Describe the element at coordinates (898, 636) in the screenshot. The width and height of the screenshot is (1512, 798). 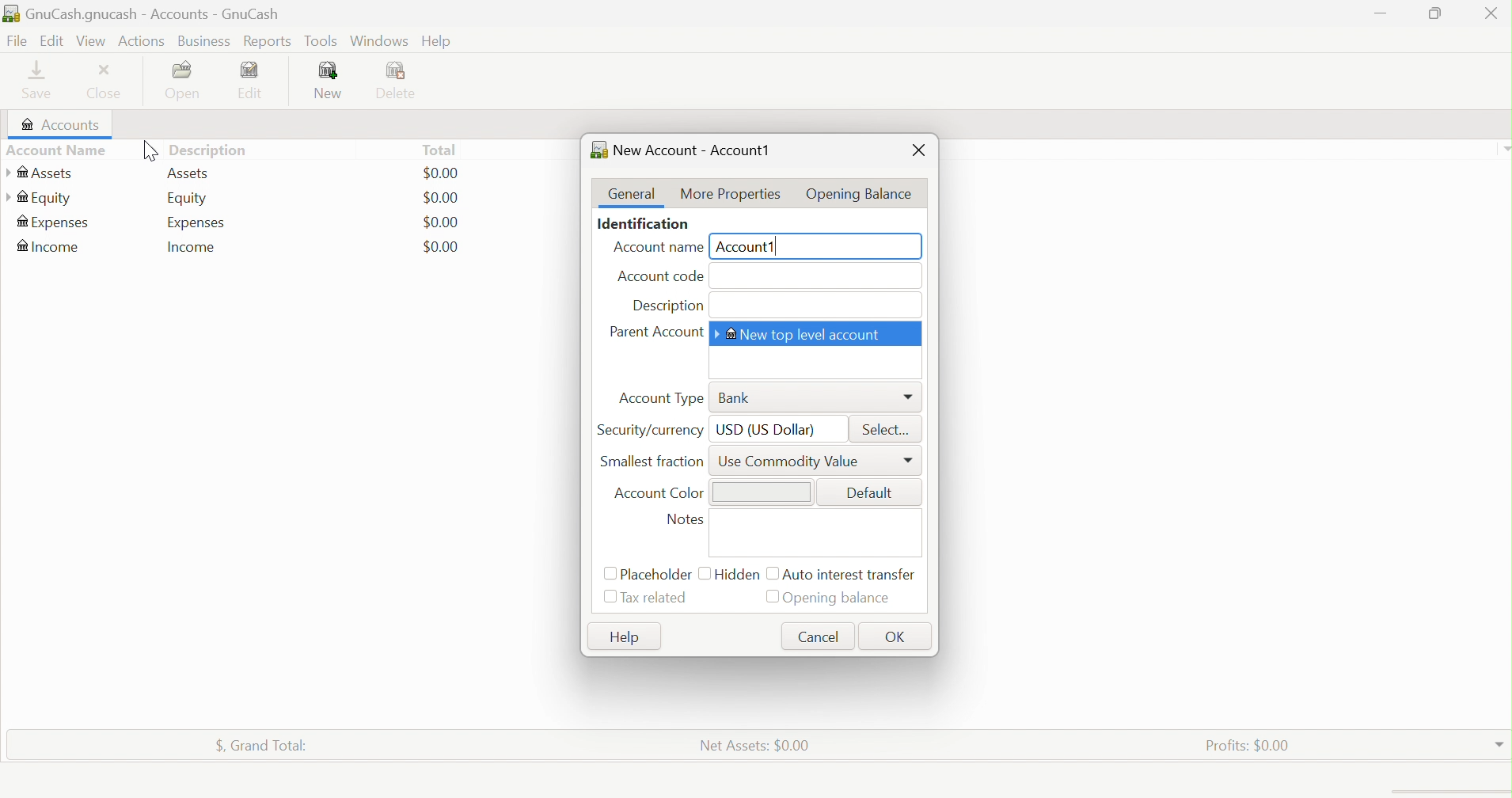
I see `OK` at that location.